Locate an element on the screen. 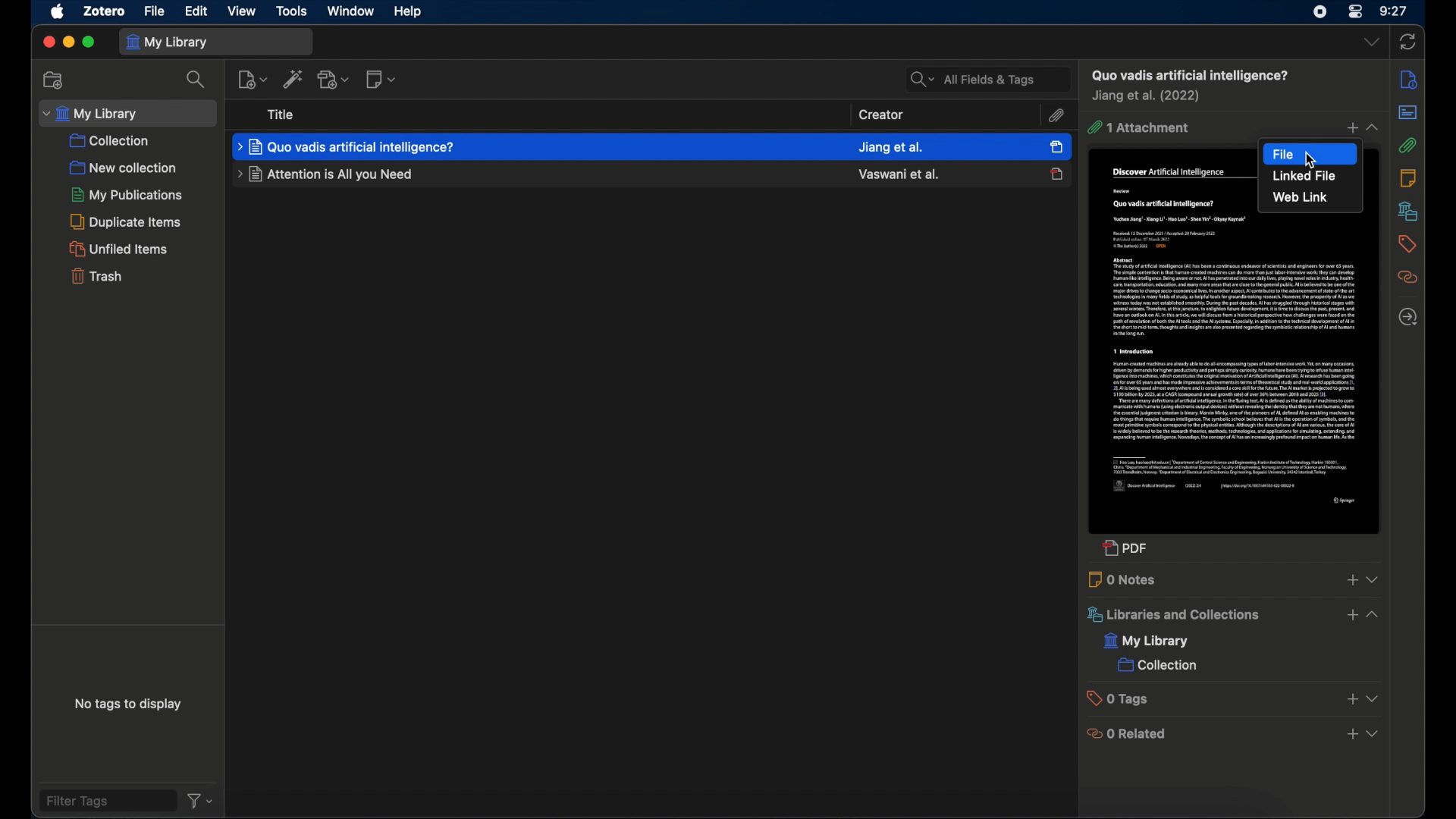  dropdown menu is located at coordinates (1373, 127).